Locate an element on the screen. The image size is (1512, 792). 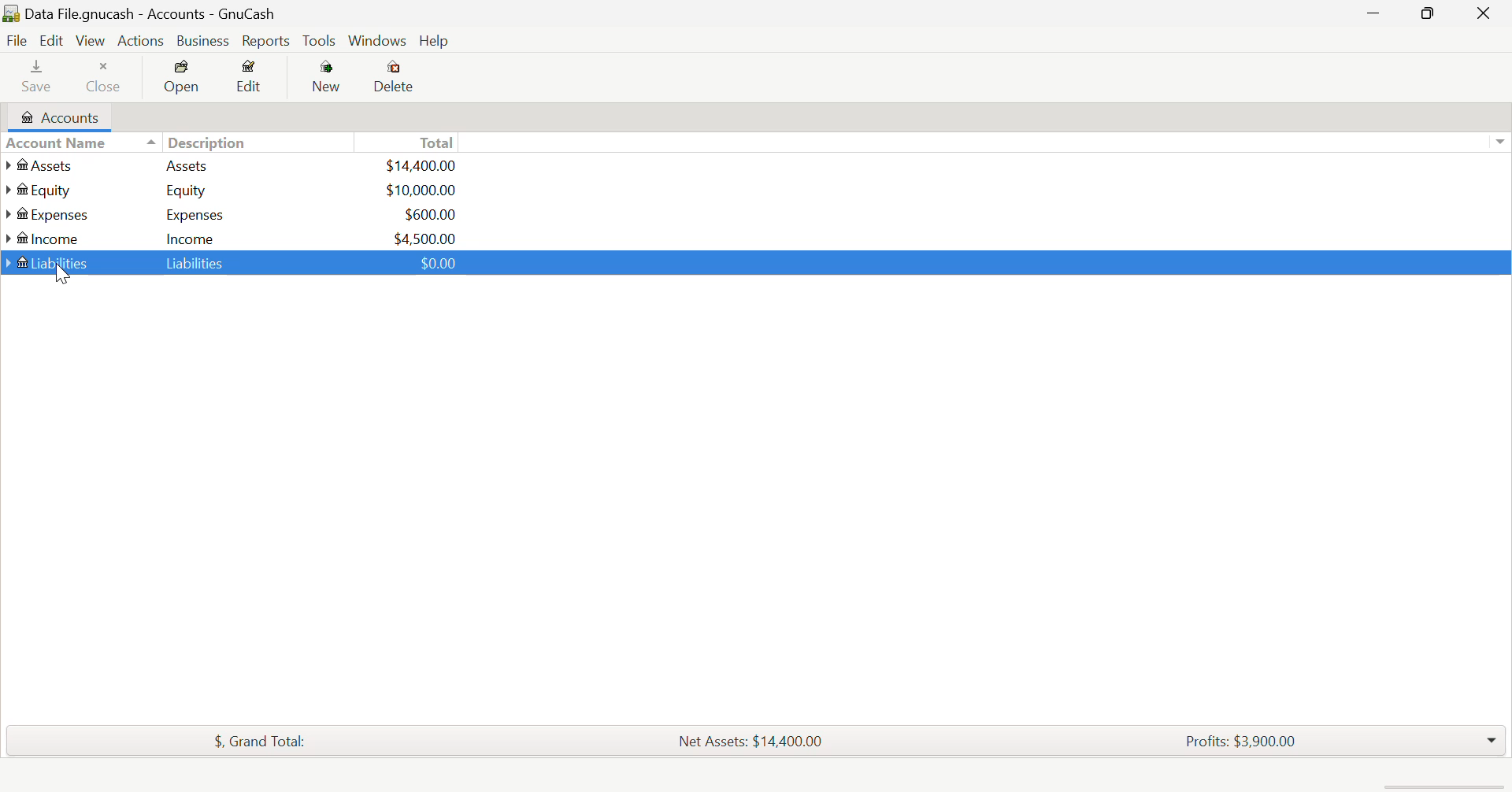
Liabilities is located at coordinates (197, 264).